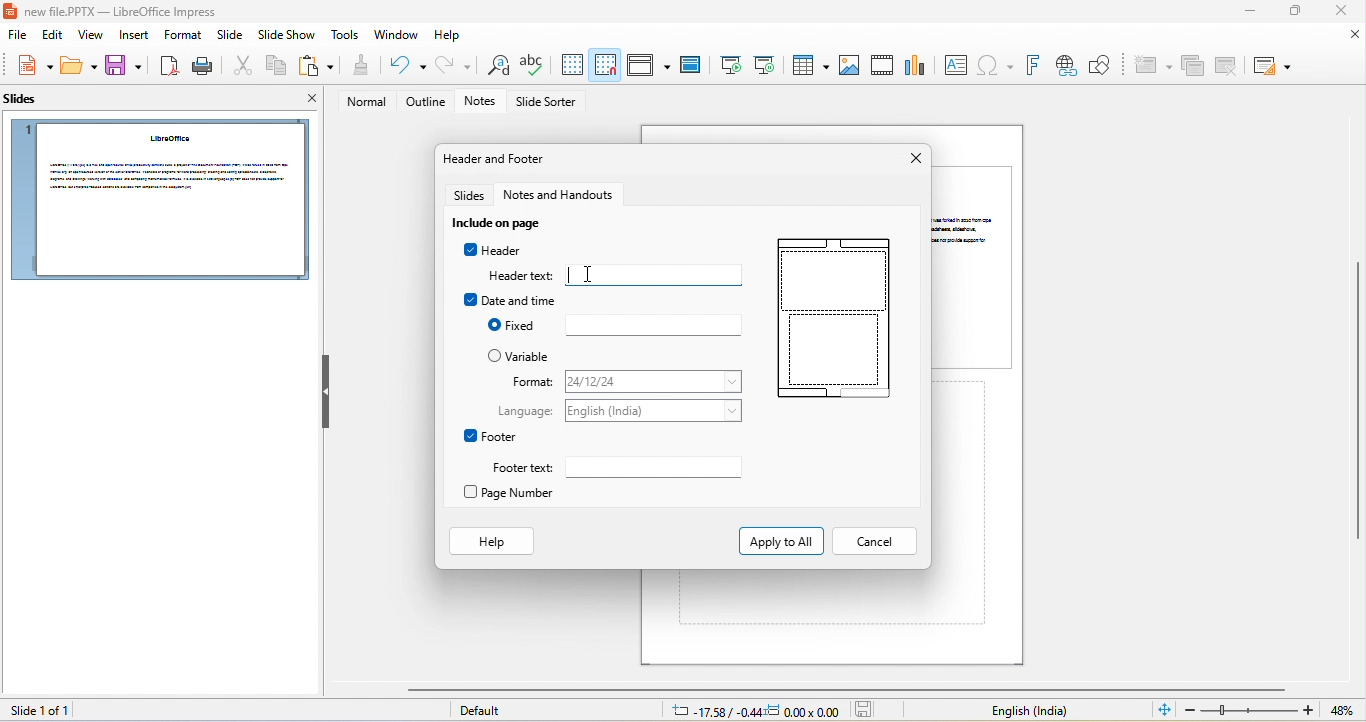 This screenshot has height=722, width=1366. Describe the element at coordinates (510, 300) in the screenshot. I see `date and time` at that location.